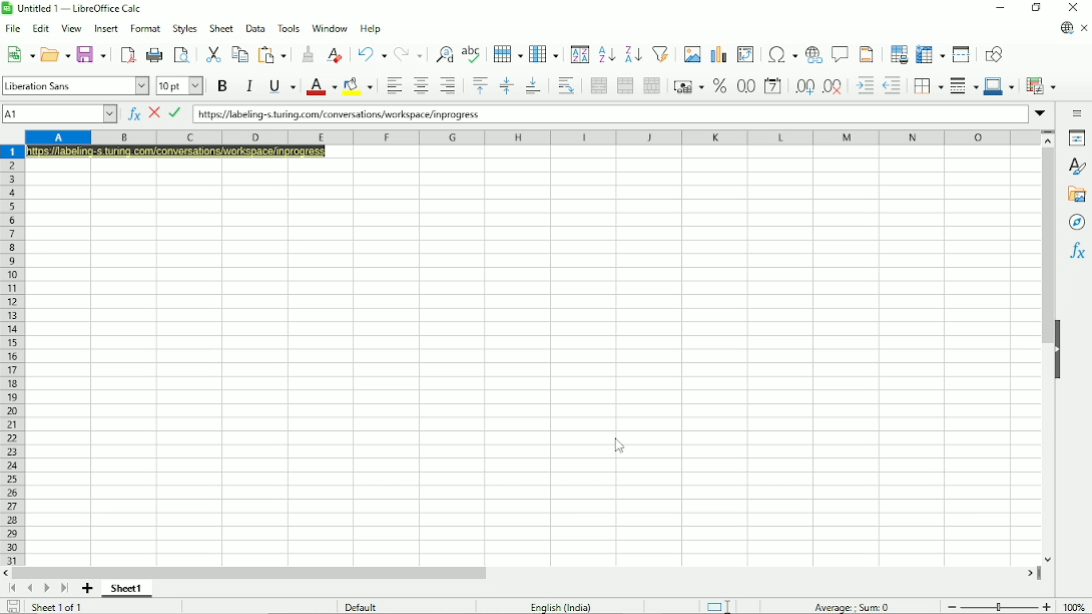 This screenshot has width=1092, height=614. Describe the element at coordinates (1084, 28) in the screenshot. I see `Close document` at that location.